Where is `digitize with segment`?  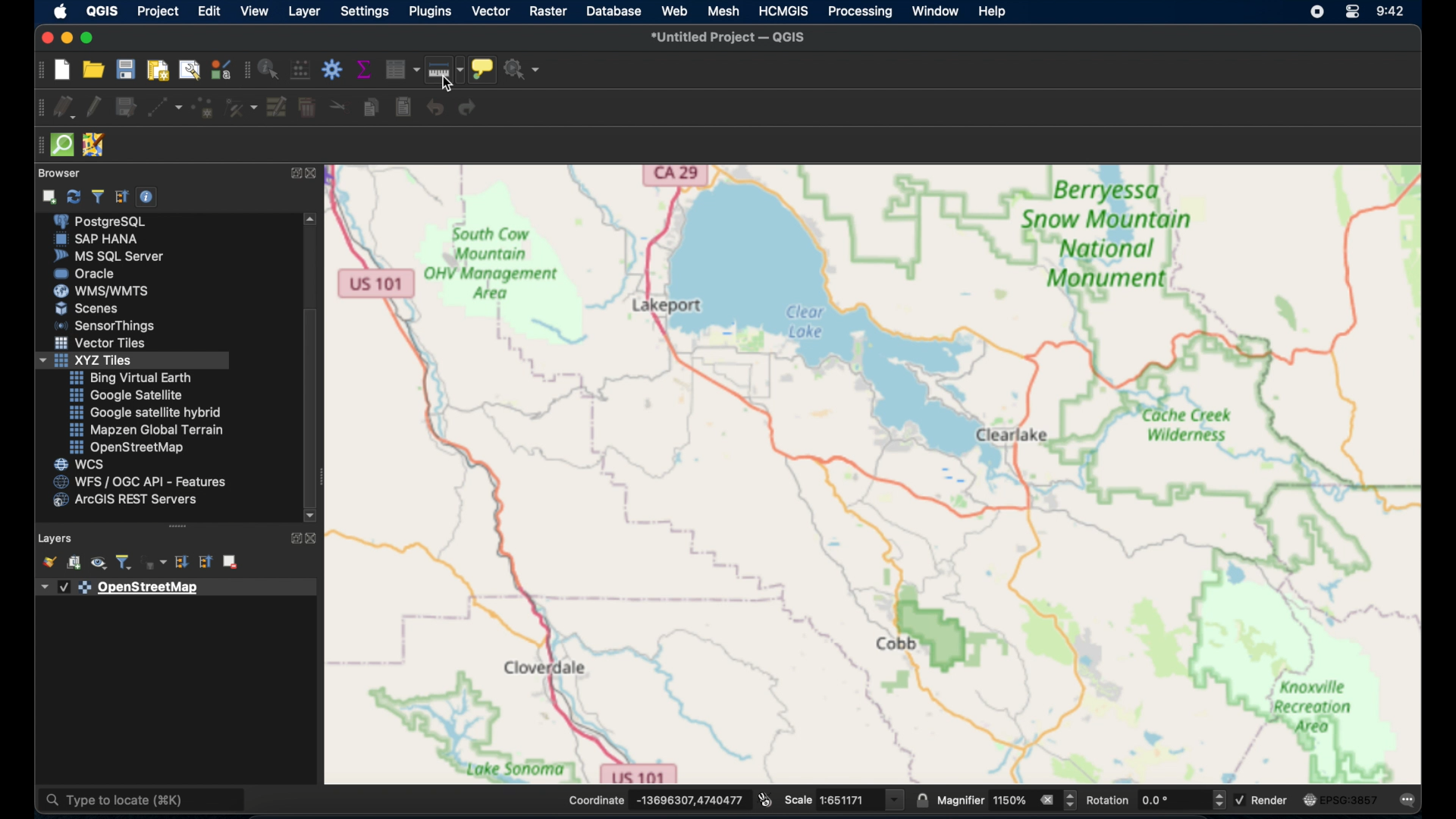 digitize with segment is located at coordinates (165, 109).